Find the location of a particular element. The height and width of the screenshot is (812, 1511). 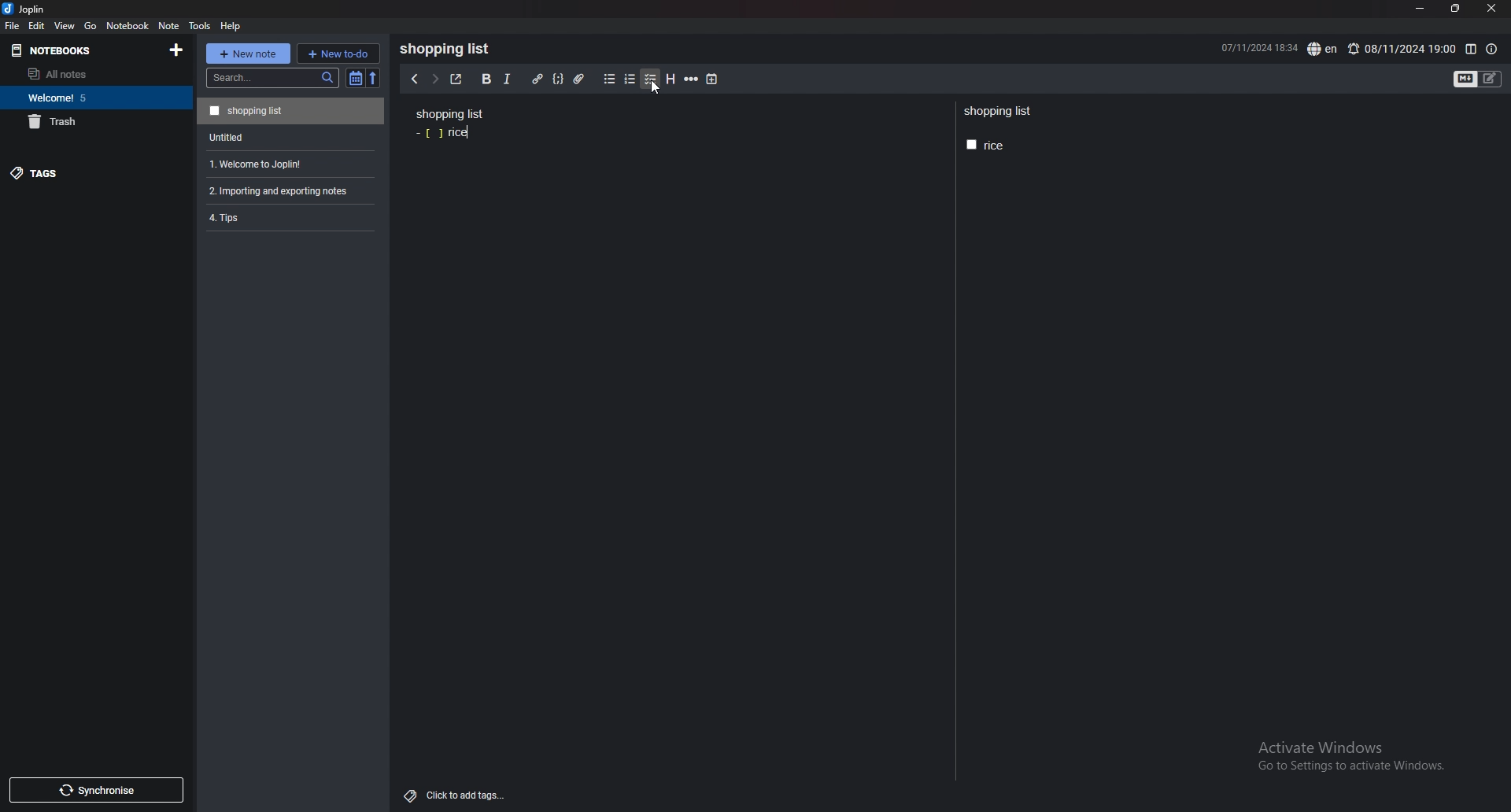

new note is located at coordinates (247, 54).